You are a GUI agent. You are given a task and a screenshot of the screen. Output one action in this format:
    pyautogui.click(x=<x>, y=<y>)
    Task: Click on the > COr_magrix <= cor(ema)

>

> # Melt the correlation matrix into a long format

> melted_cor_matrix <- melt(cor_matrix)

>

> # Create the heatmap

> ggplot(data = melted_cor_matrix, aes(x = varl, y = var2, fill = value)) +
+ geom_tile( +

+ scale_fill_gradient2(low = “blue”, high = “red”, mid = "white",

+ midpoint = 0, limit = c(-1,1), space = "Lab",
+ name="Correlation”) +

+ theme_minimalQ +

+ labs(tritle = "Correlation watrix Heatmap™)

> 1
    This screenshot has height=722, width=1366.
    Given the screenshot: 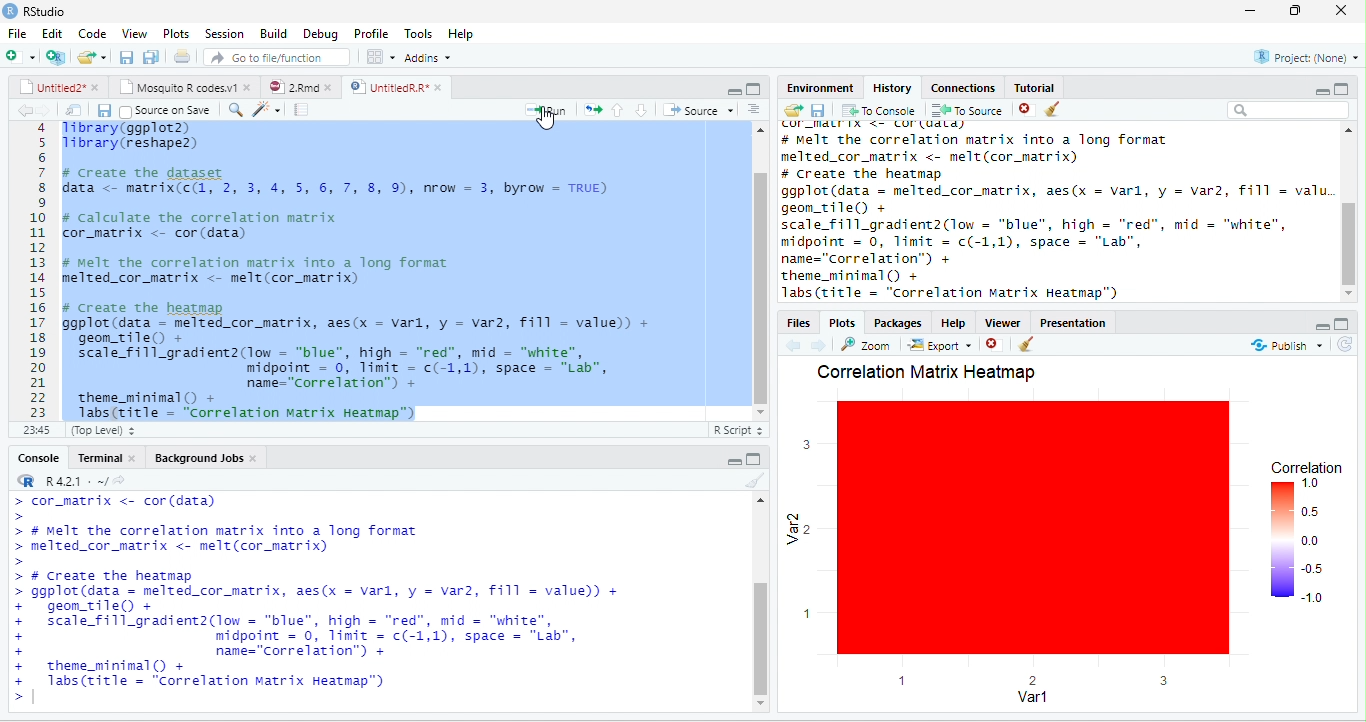 What is the action you would take?
    pyautogui.click(x=367, y=605)
    